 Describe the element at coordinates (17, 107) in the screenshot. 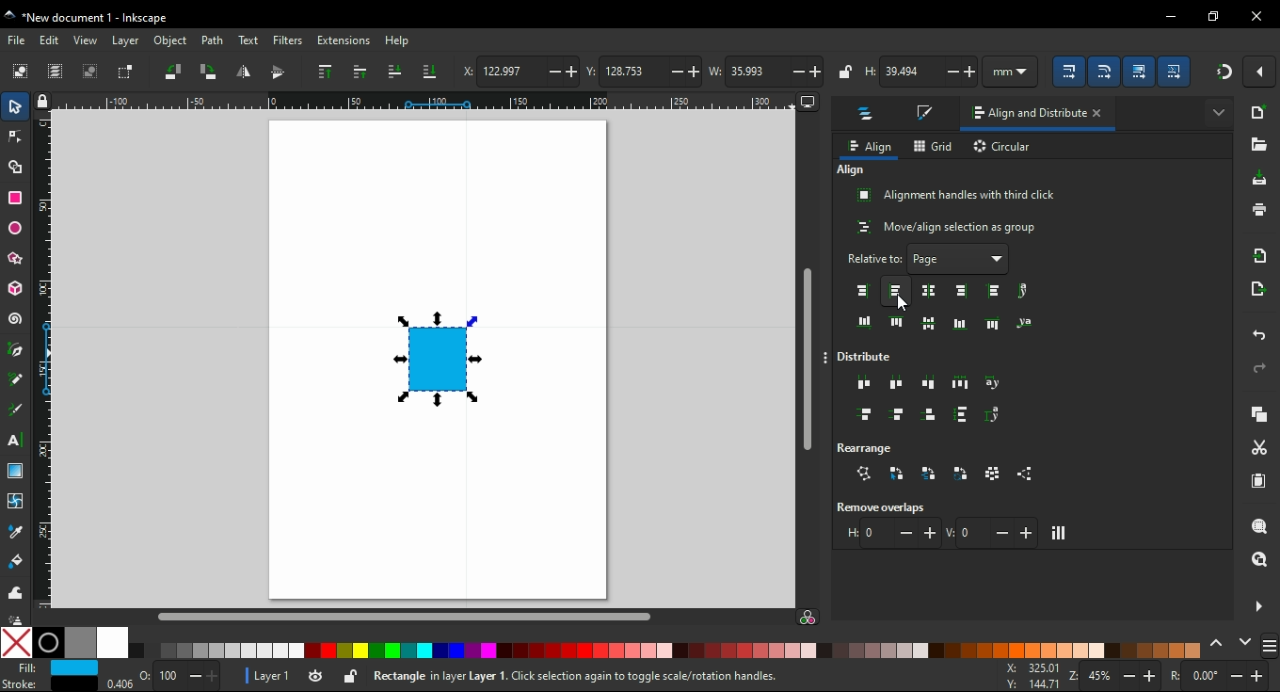

I see `select` at that location.